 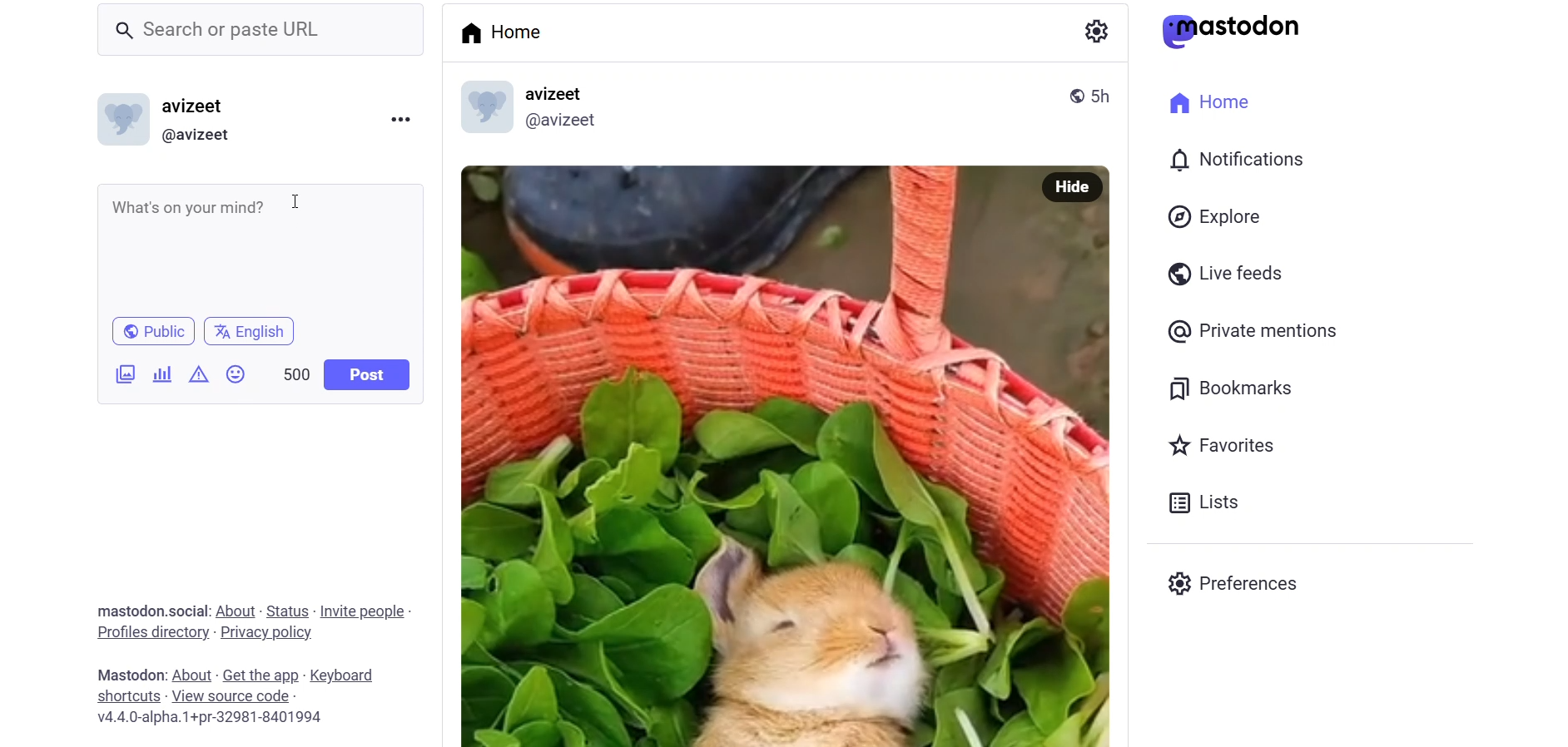 I want to click on image, so click(x=742, y=453).